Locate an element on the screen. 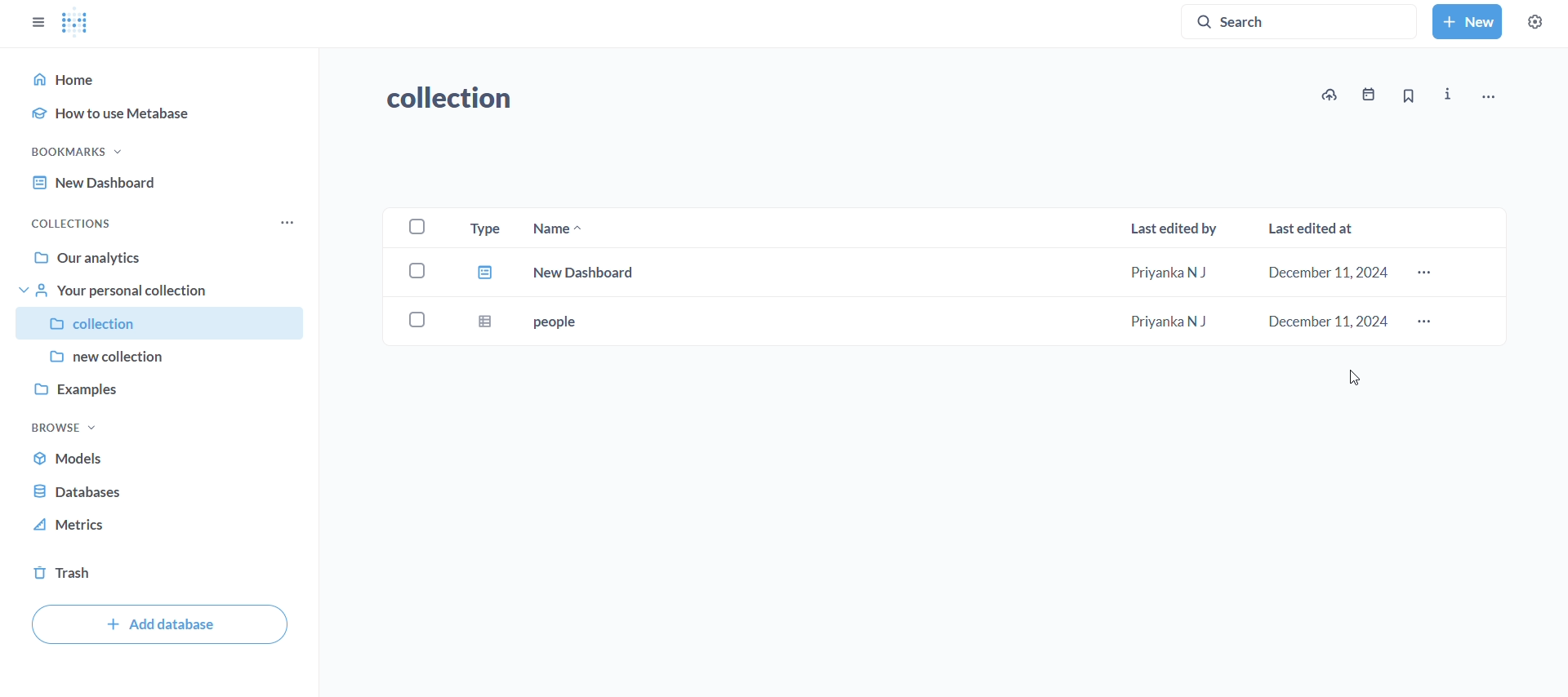  our analytics is located at coordinates (154, 255).